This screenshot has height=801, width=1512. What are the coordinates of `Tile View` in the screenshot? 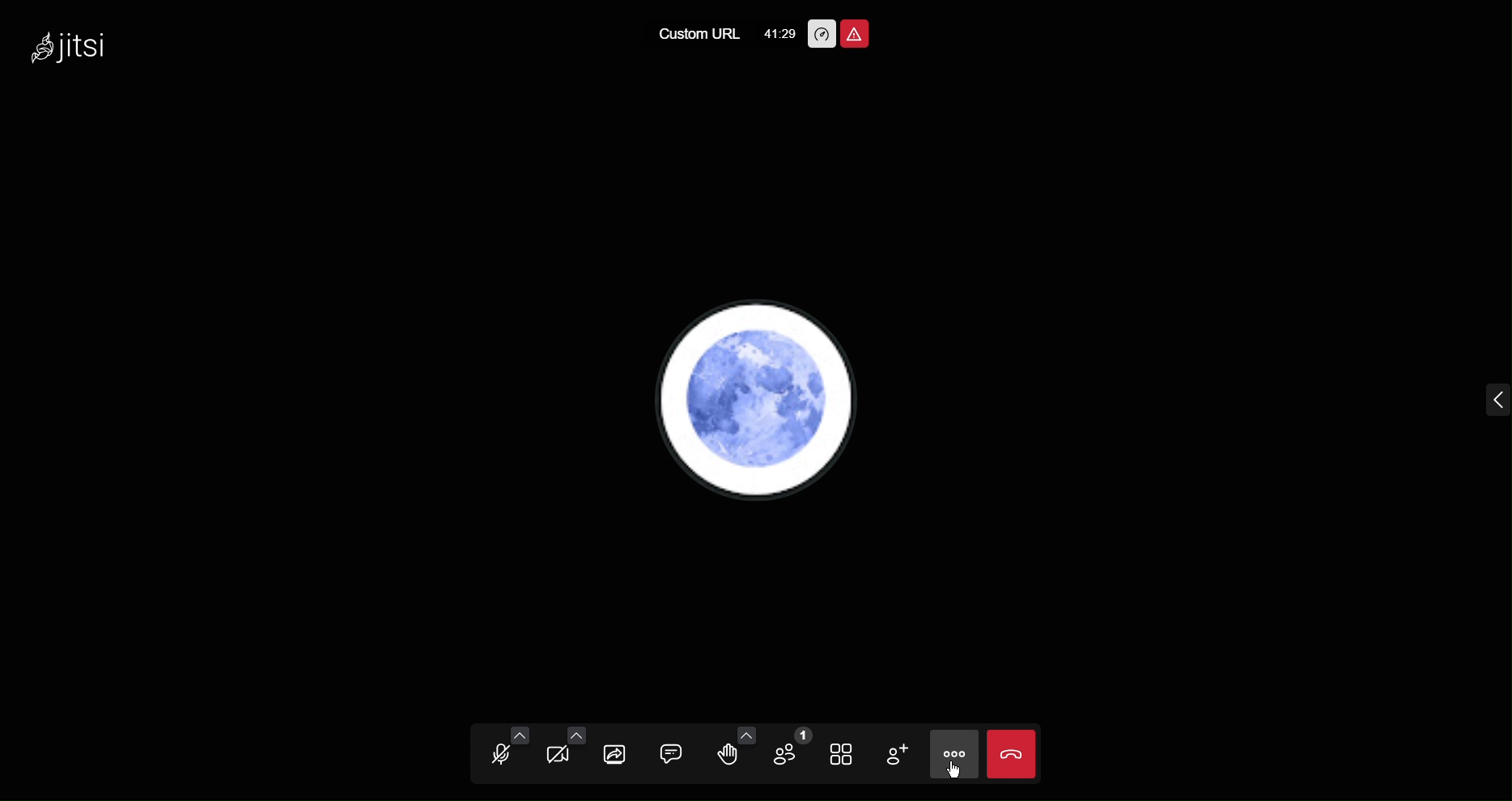 It's located at (847, 752).